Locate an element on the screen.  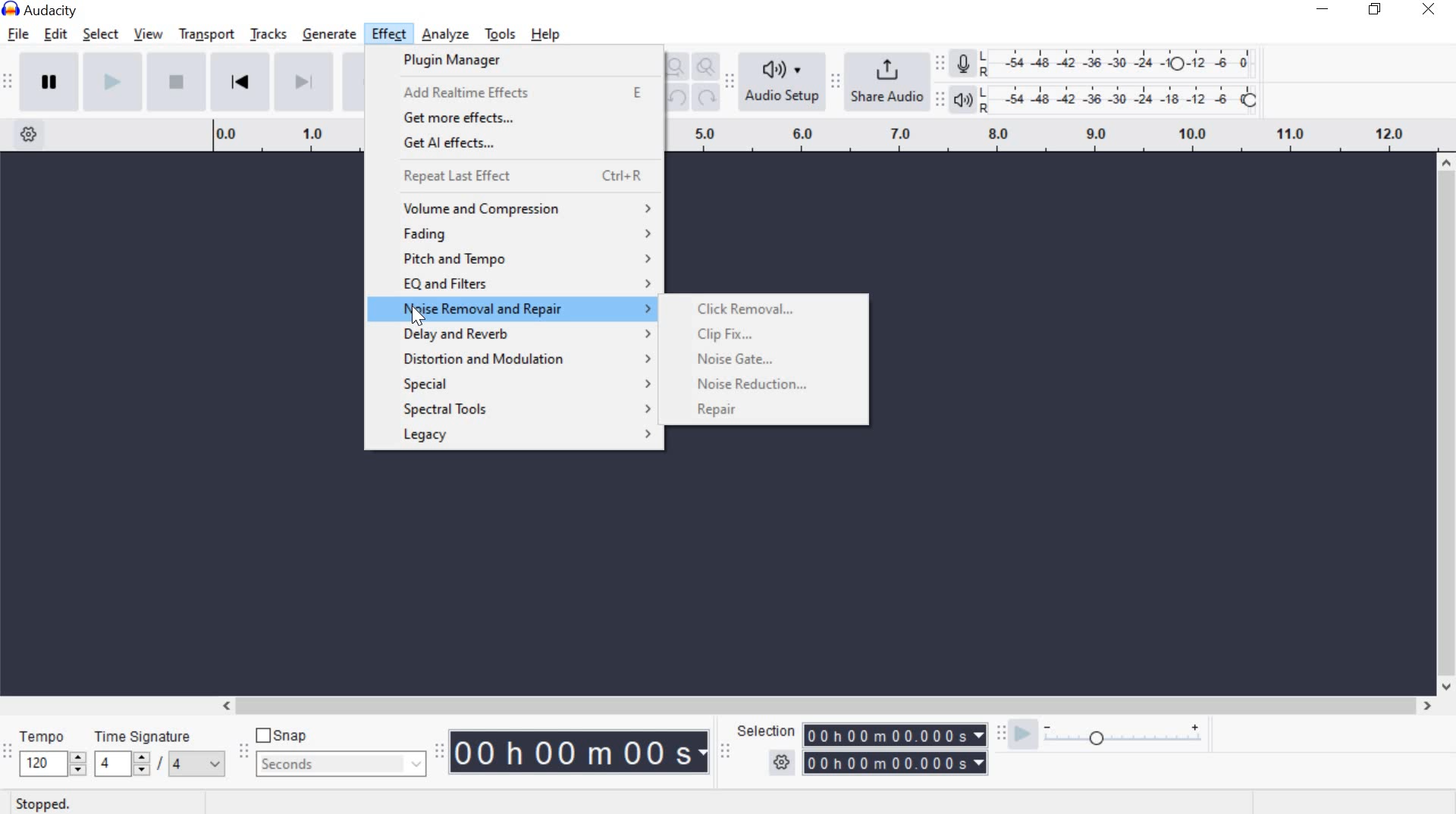
Time signature is located at coordinates (158, 756).